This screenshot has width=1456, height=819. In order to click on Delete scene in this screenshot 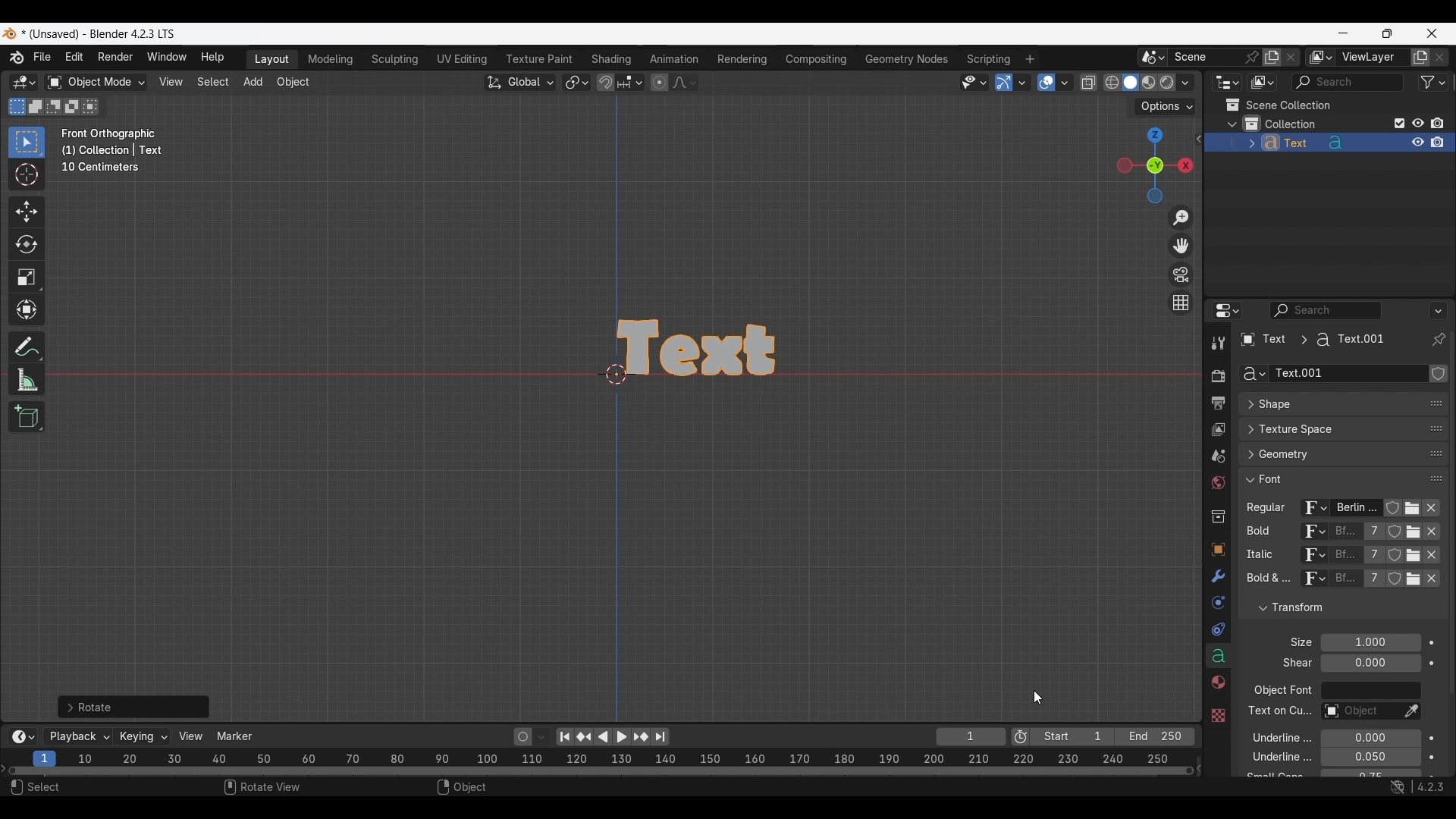, I will do `click(1291, 58)`.